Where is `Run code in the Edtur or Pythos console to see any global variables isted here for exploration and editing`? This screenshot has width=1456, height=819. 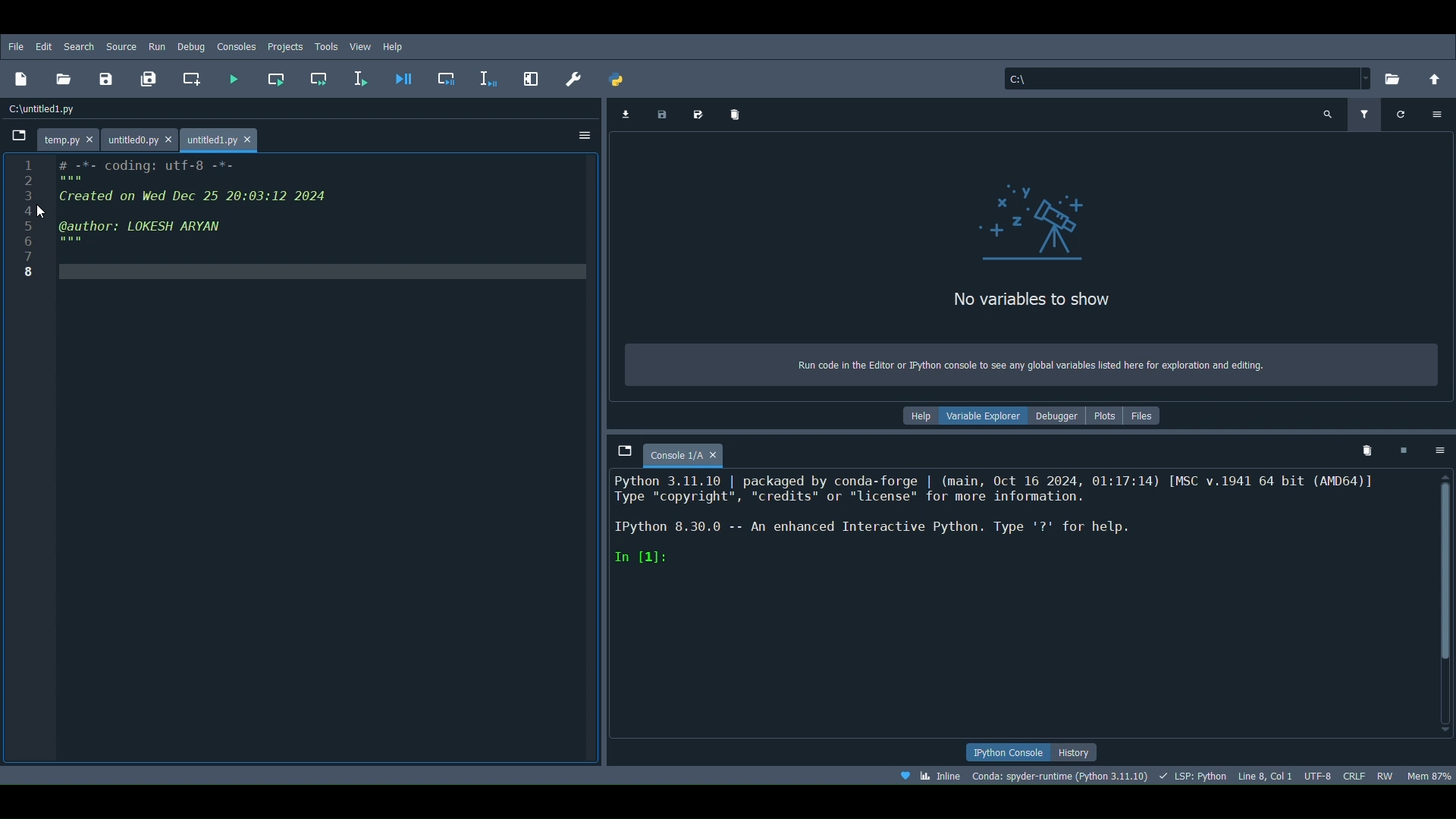 Run code in the Edtur or Pythos console to see any global variables isted here for exploration and editing is located at coordinates (1041, 362).